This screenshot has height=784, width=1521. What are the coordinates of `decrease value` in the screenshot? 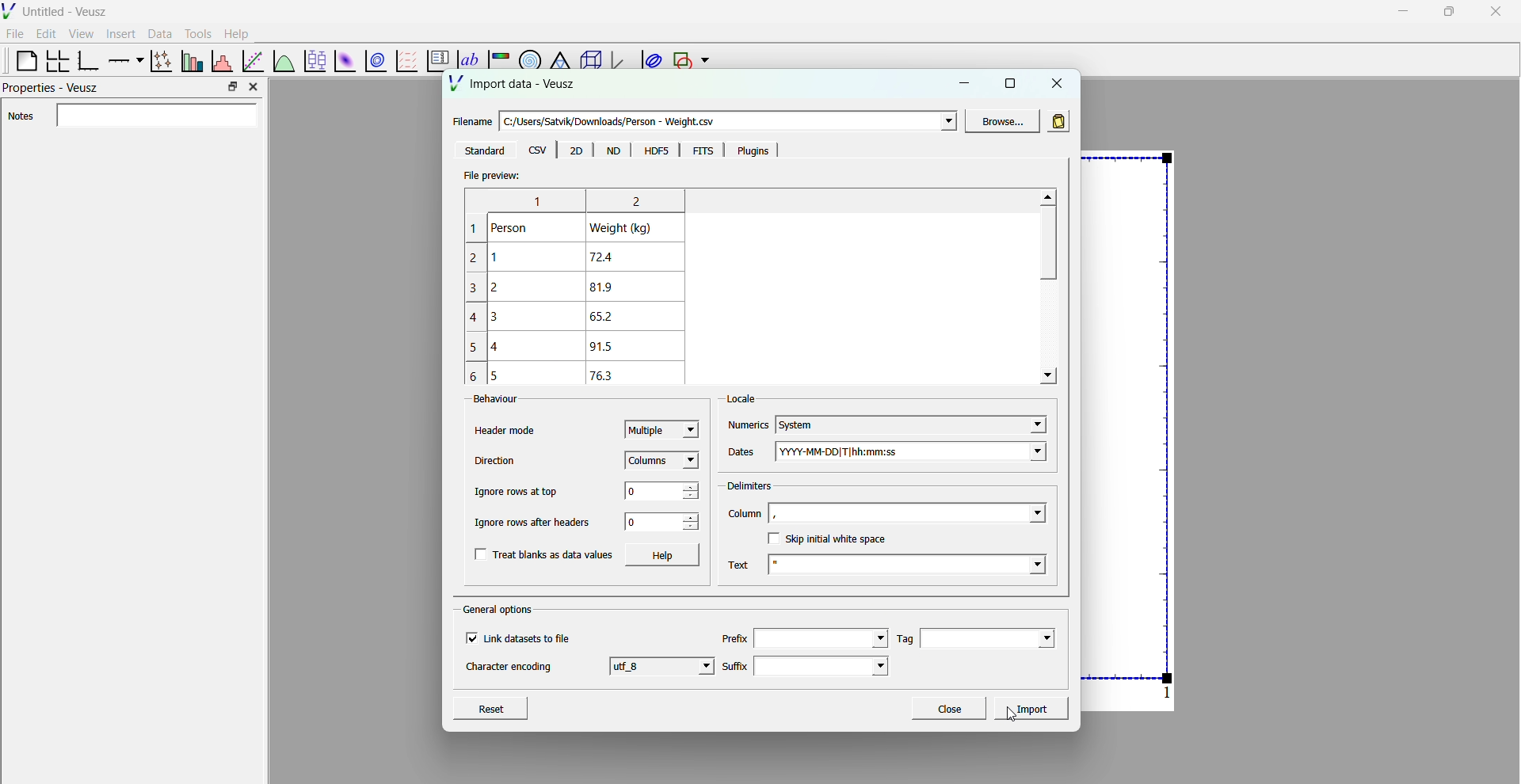 It's located at (691, 496).